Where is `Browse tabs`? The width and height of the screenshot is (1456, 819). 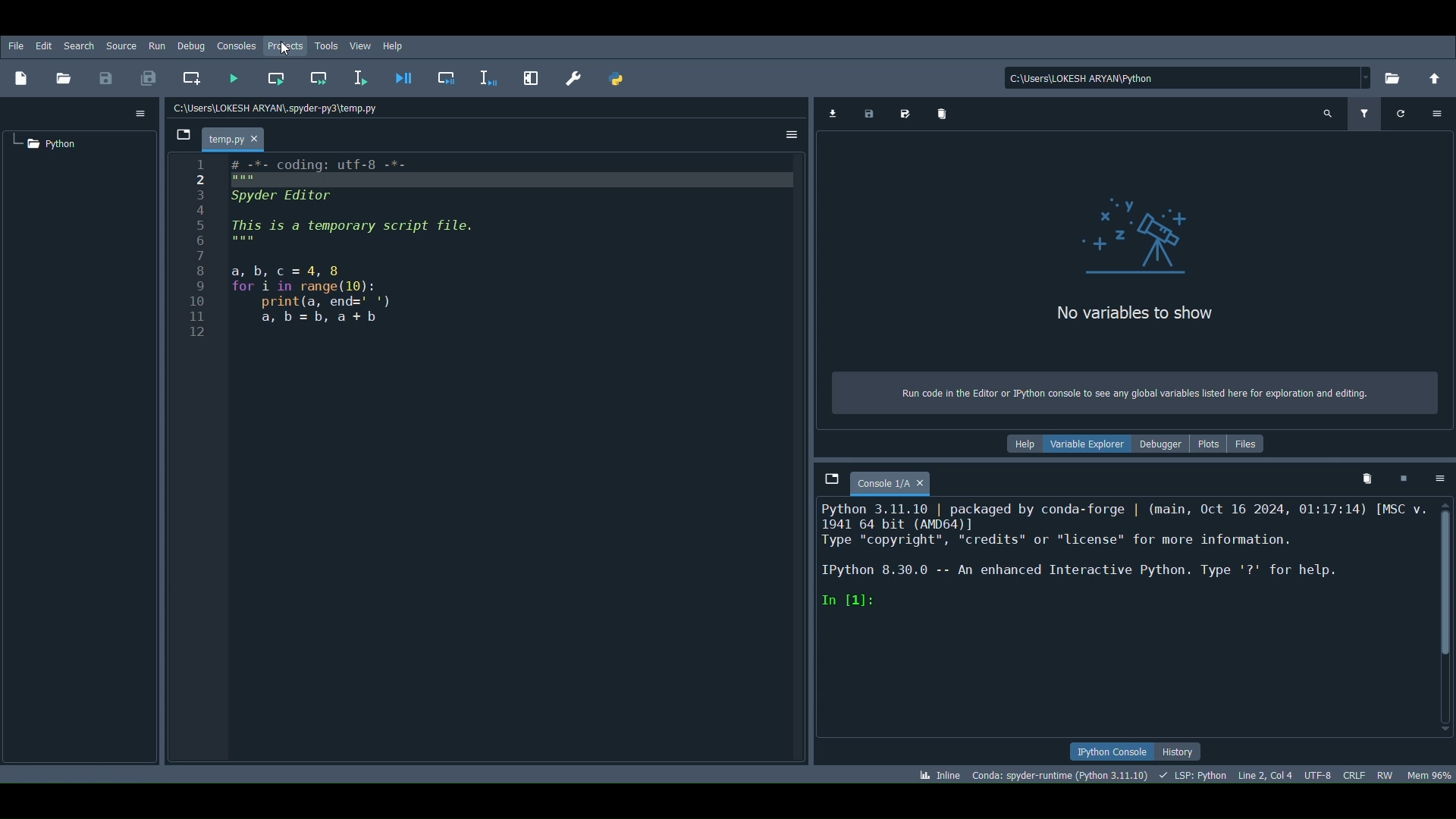 Browse tabs is located at coordinates (184, 136).